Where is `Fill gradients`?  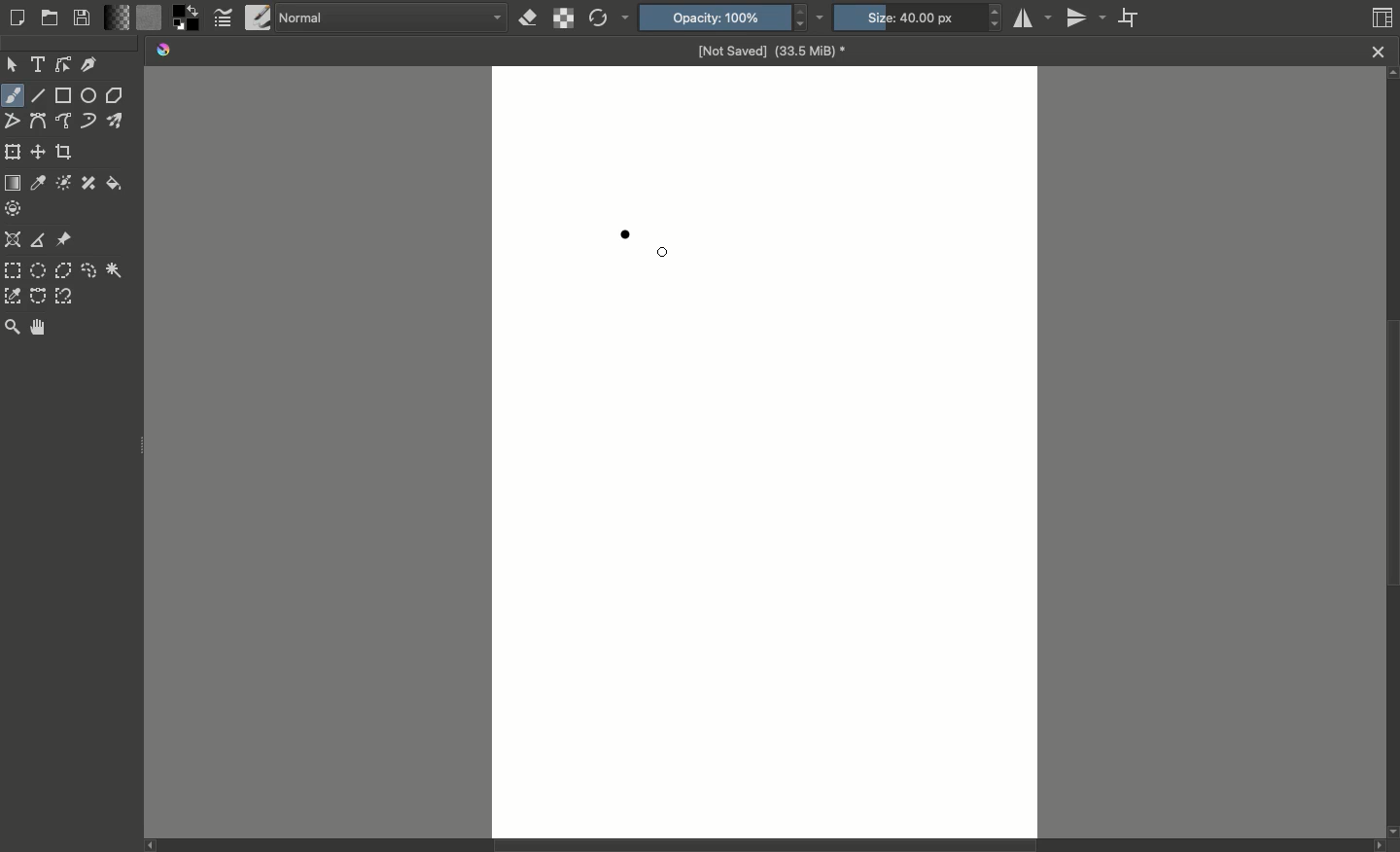
Fill gradients is located at coordinates (120, 18).